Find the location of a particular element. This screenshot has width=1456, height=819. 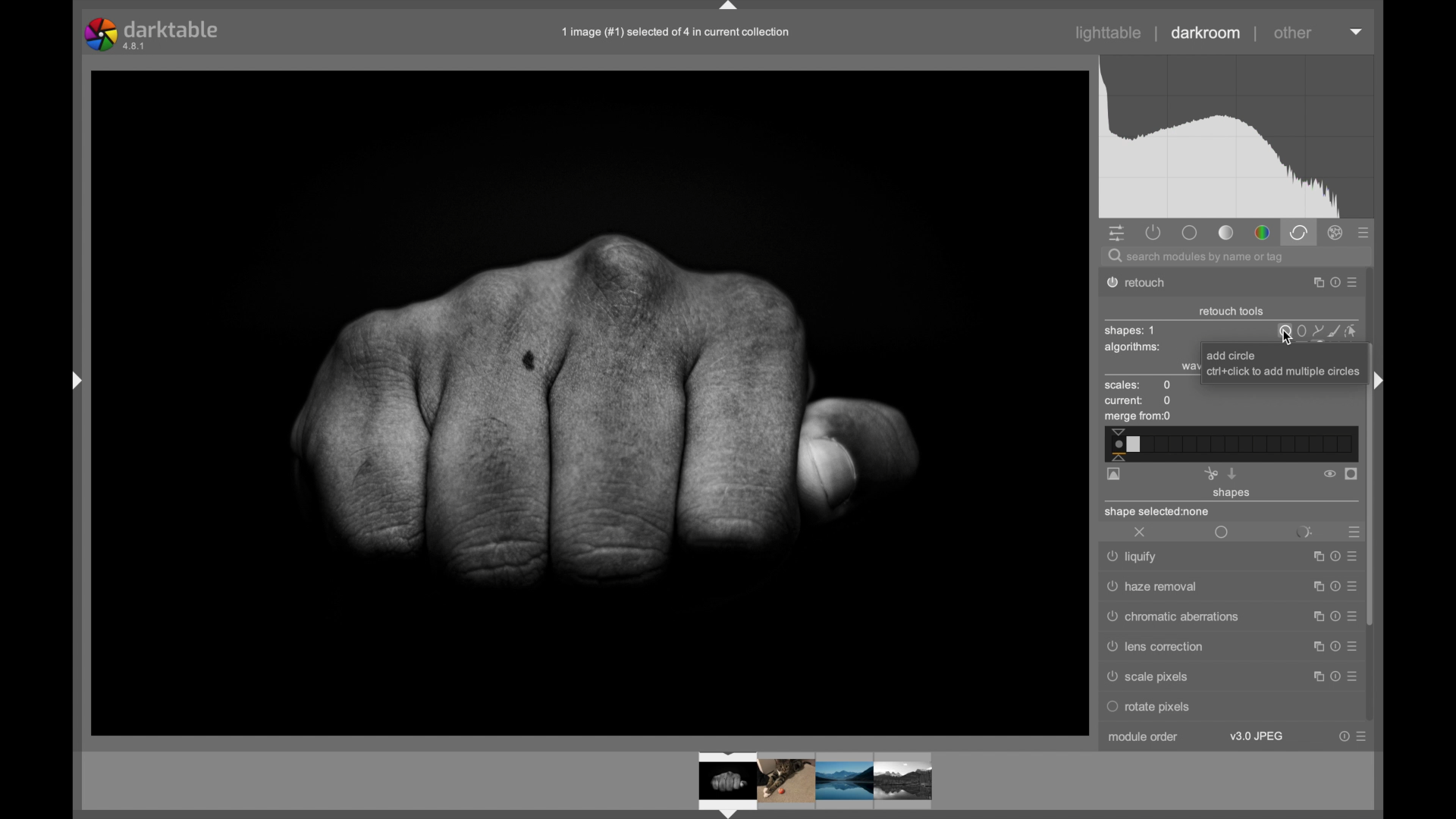

display wavelet scale is located at coordinates (1114, 475).